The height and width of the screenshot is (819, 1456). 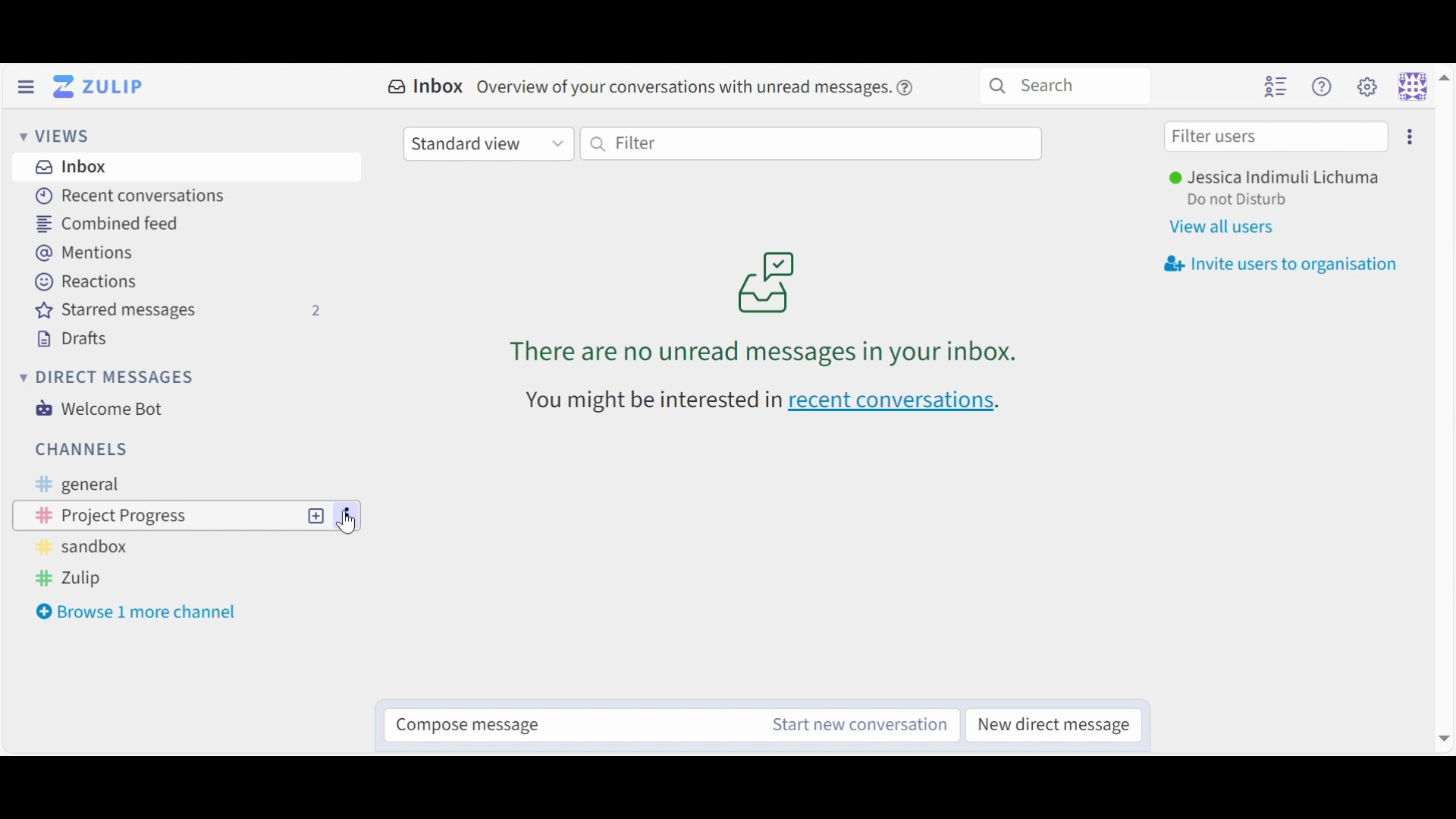 I want to click on new topic, so click(x=319, y=517).